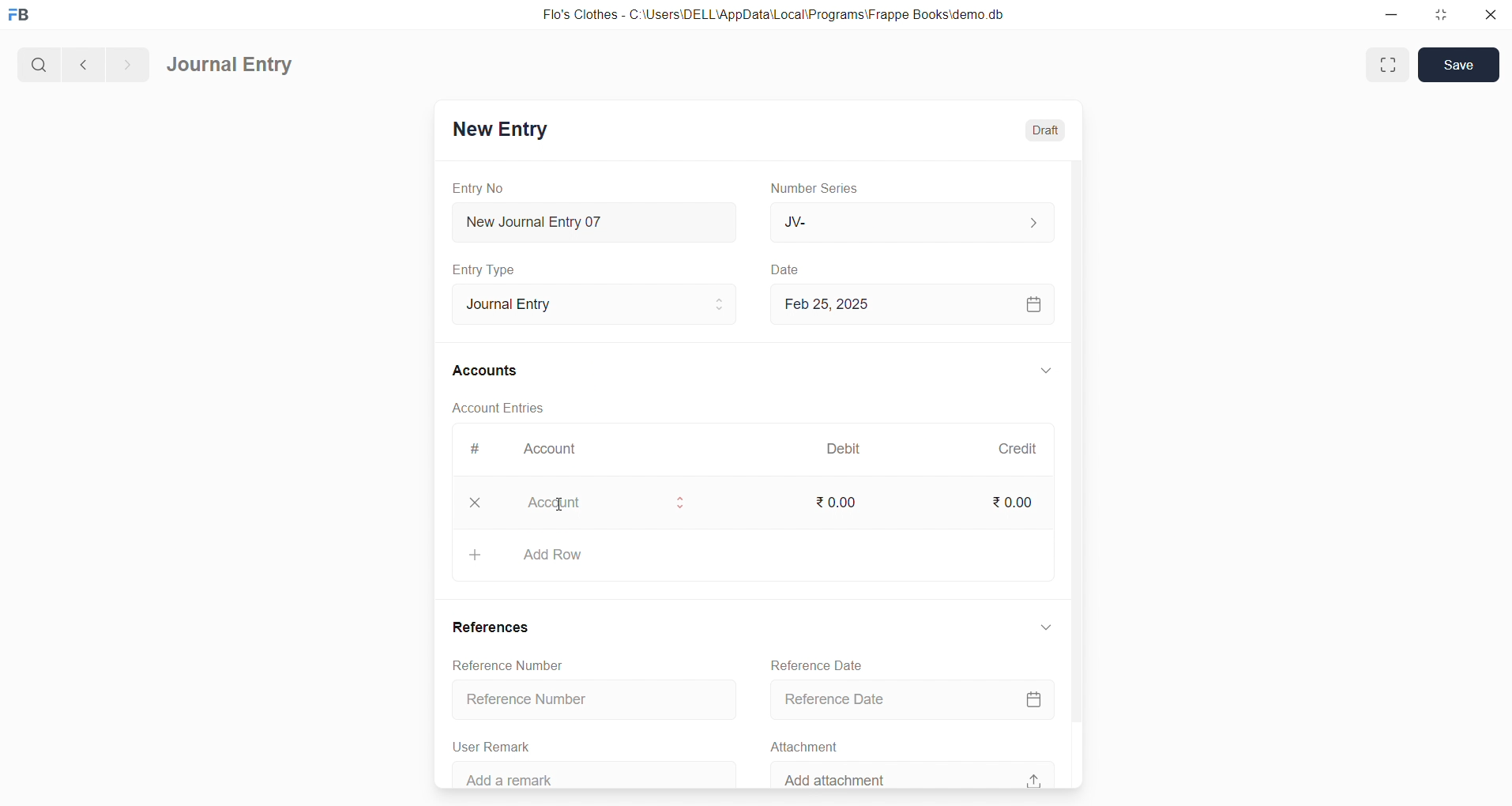 The height and width of the screenshot is (806, 1512). Describe the element at coordinates (596, 218) in the screenshot. I see `New Journal Entry 07` at that location.